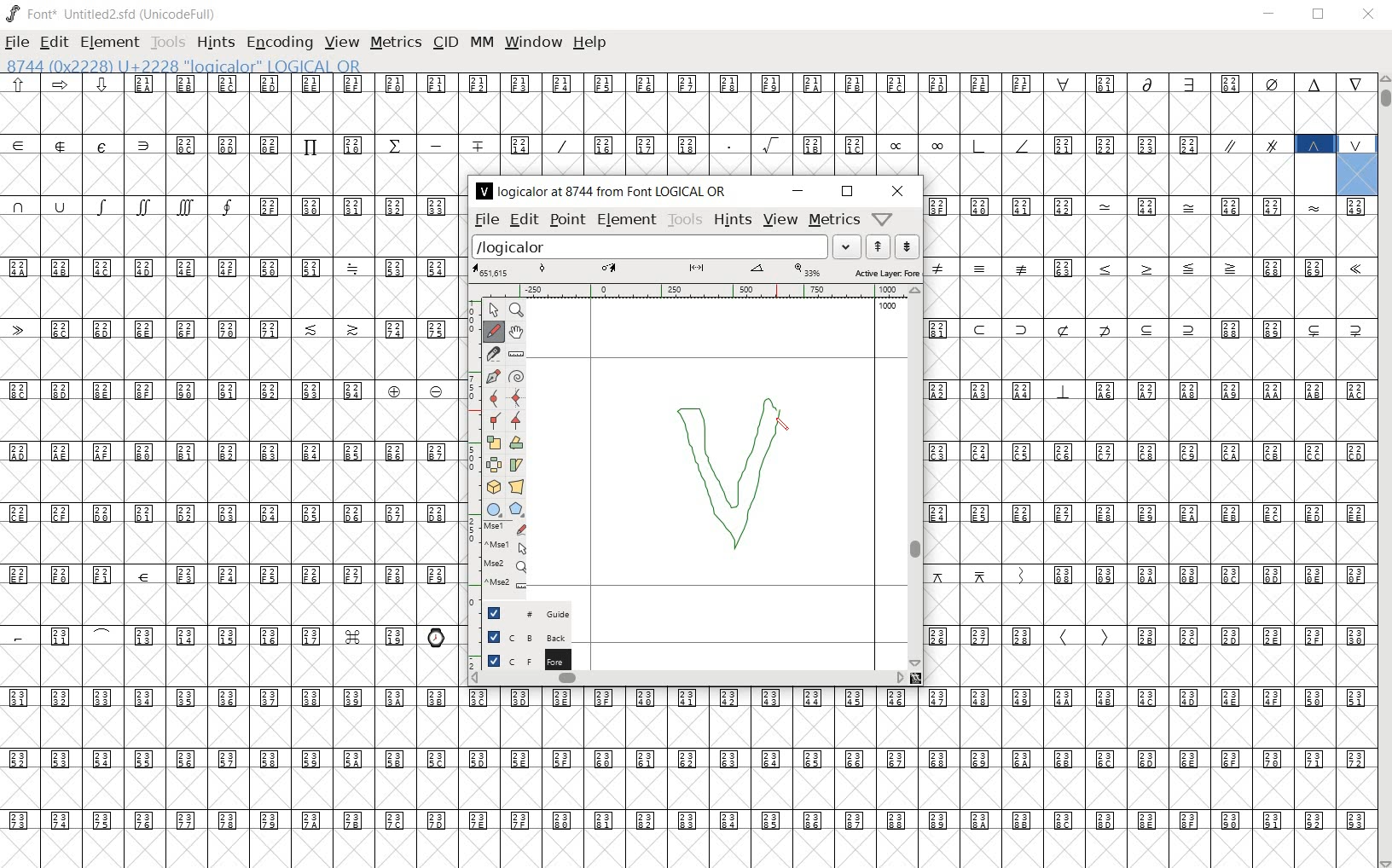 This screenshot has height=868, width=1392. What do you see at coordinates (520, 509) in the screenshot?
I see `polygon or star` at bounding box center [520, 509].